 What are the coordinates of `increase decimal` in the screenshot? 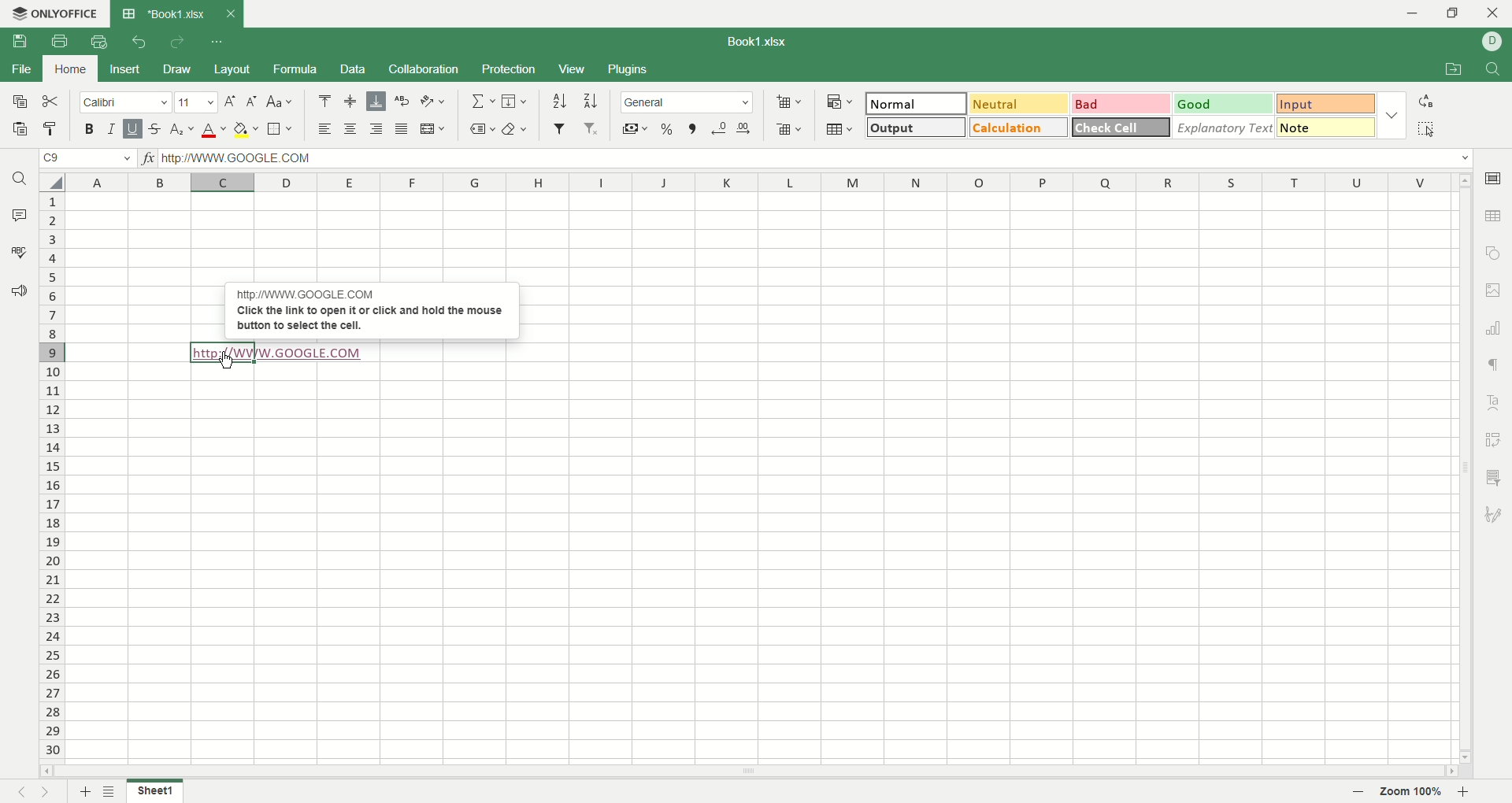 It's located at (741, 129).